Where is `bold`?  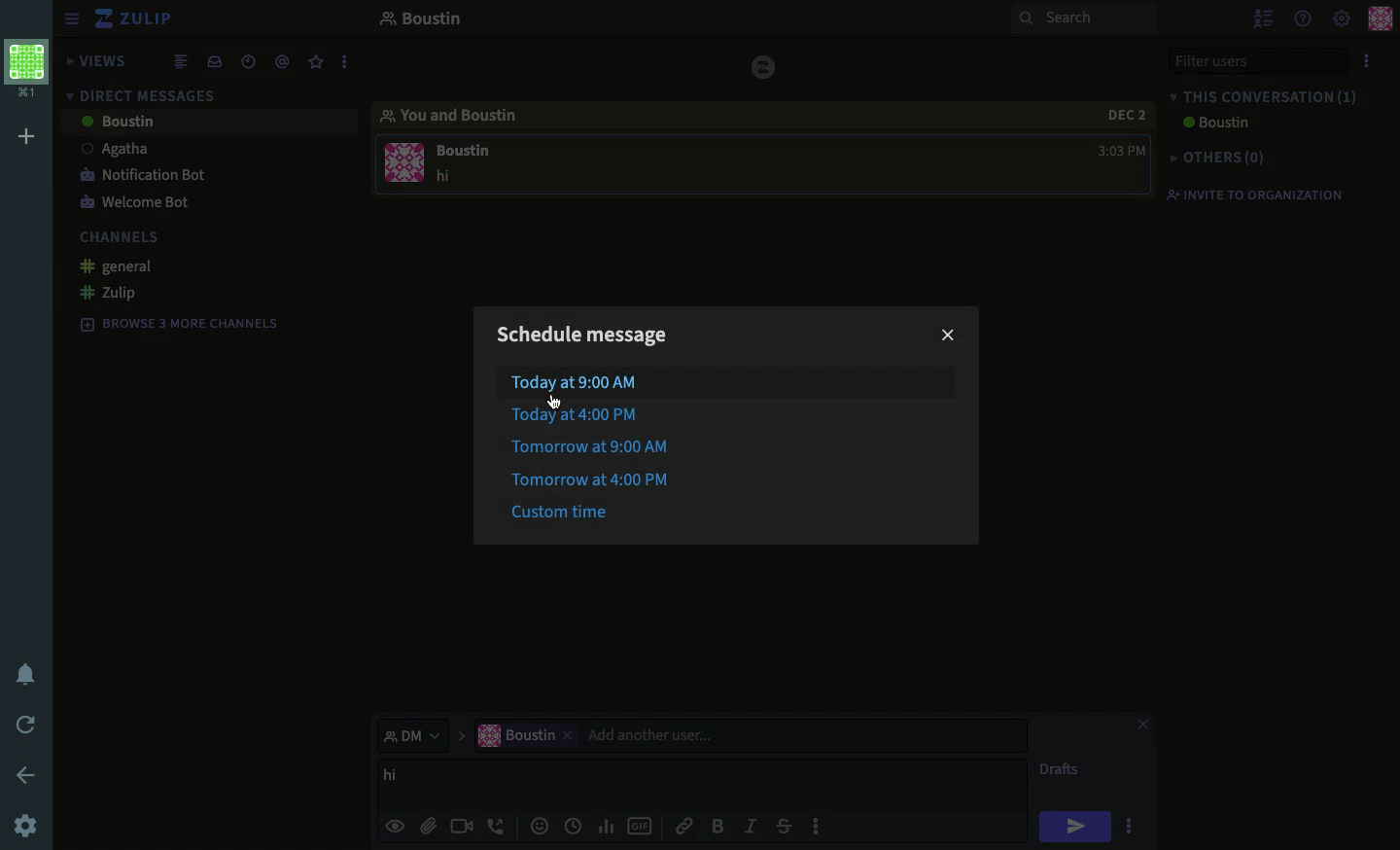
bold is located at coordinates (719, 826).